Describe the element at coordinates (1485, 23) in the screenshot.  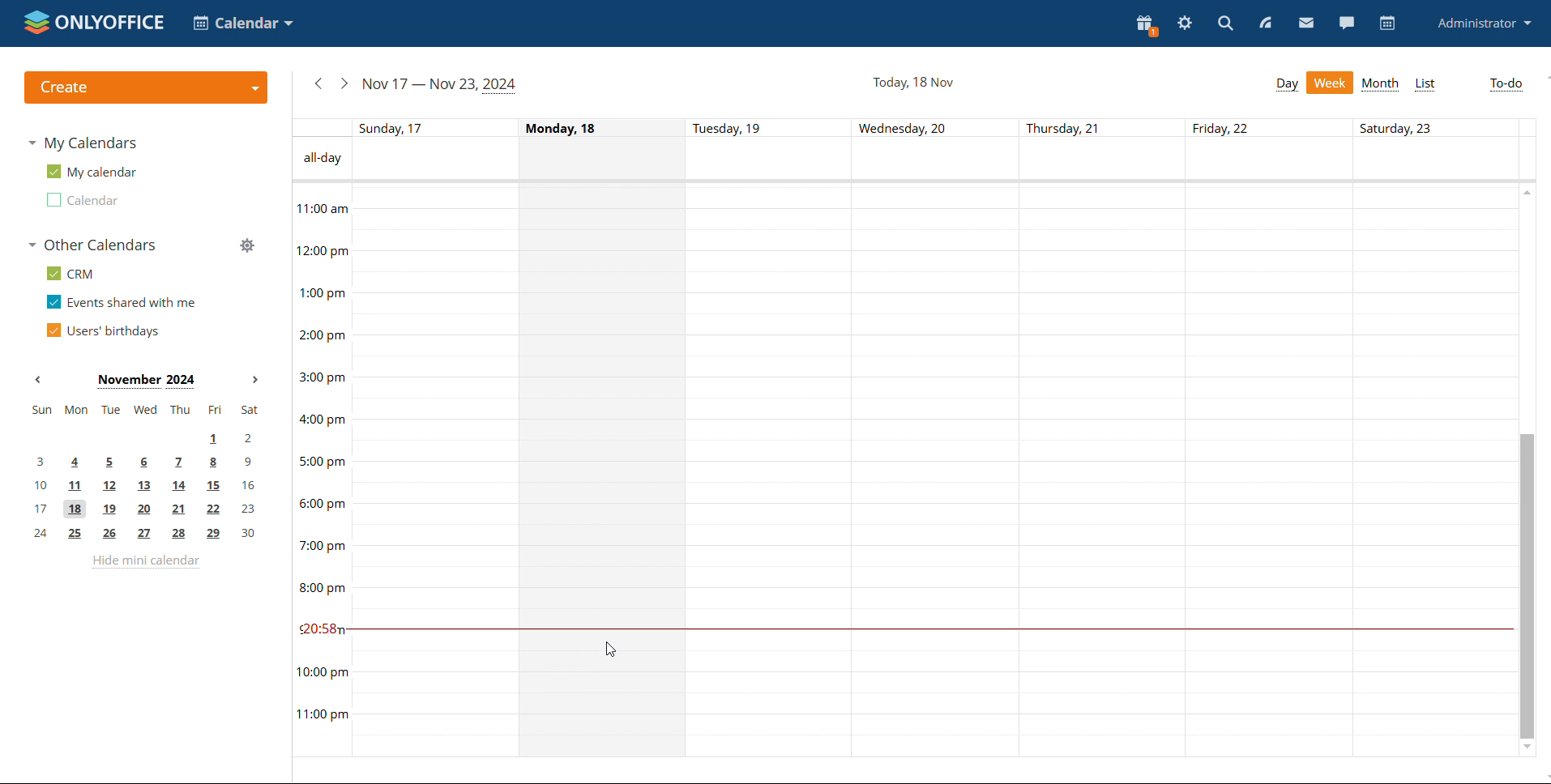
I see `profile` at that location.